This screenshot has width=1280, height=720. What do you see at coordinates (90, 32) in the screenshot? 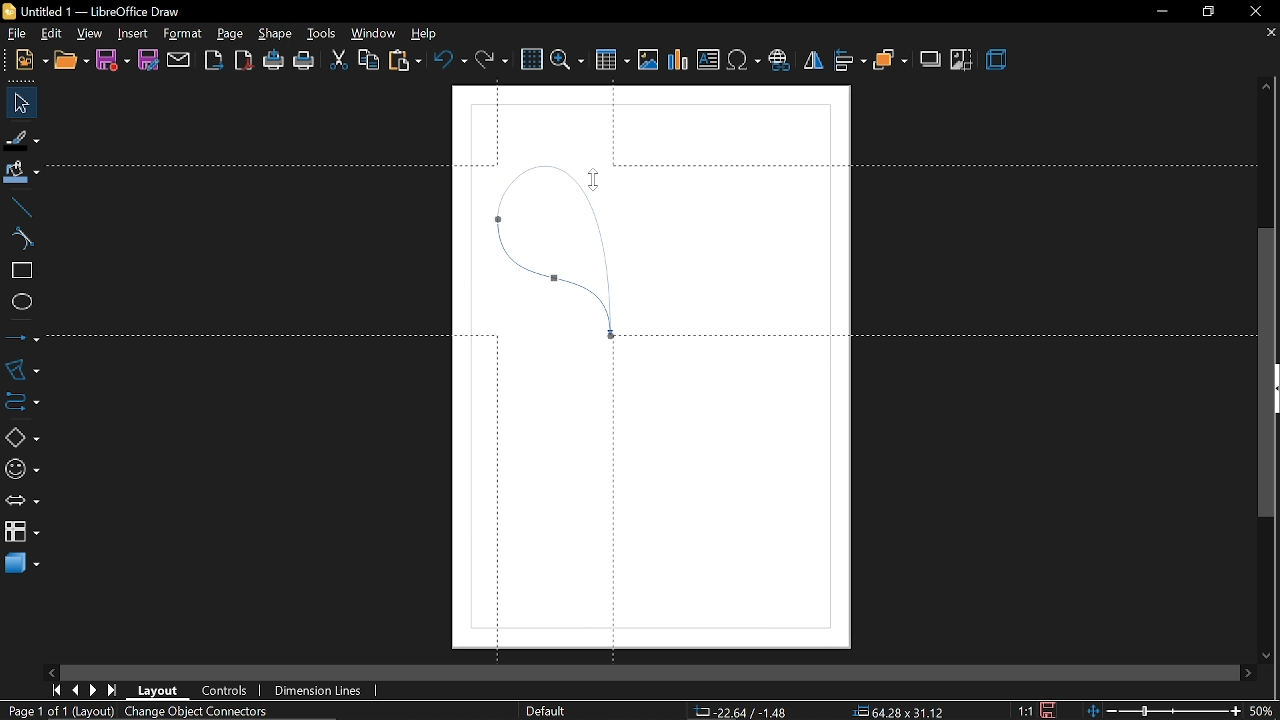
I see `view` at bounding box center [90, 32].